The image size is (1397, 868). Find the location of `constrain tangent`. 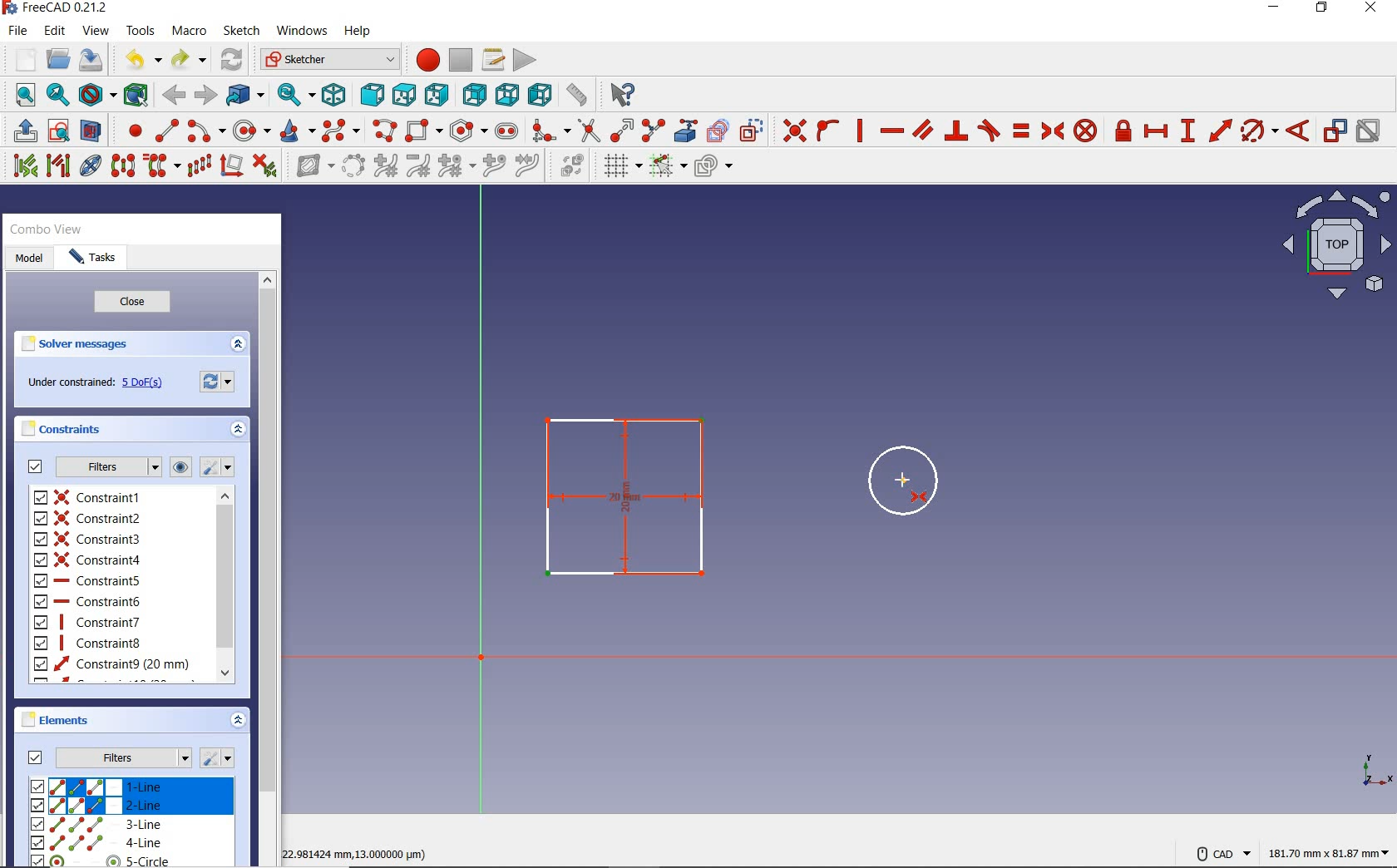

constrain tangent is located at coordinates (989, 131).